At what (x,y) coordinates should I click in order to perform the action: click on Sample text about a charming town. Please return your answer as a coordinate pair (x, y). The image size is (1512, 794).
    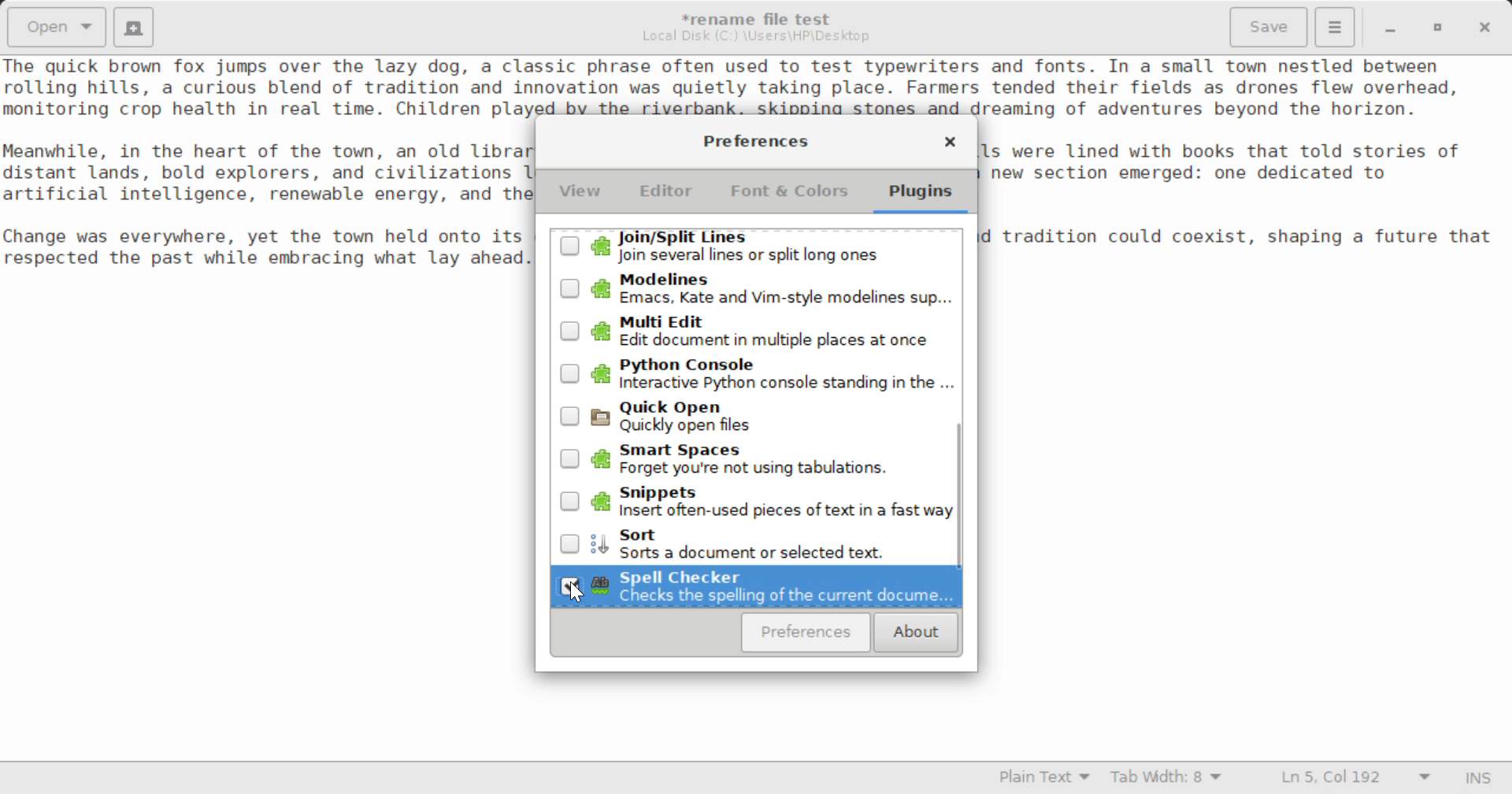
    Looking at the image, I should click on (756, 86).